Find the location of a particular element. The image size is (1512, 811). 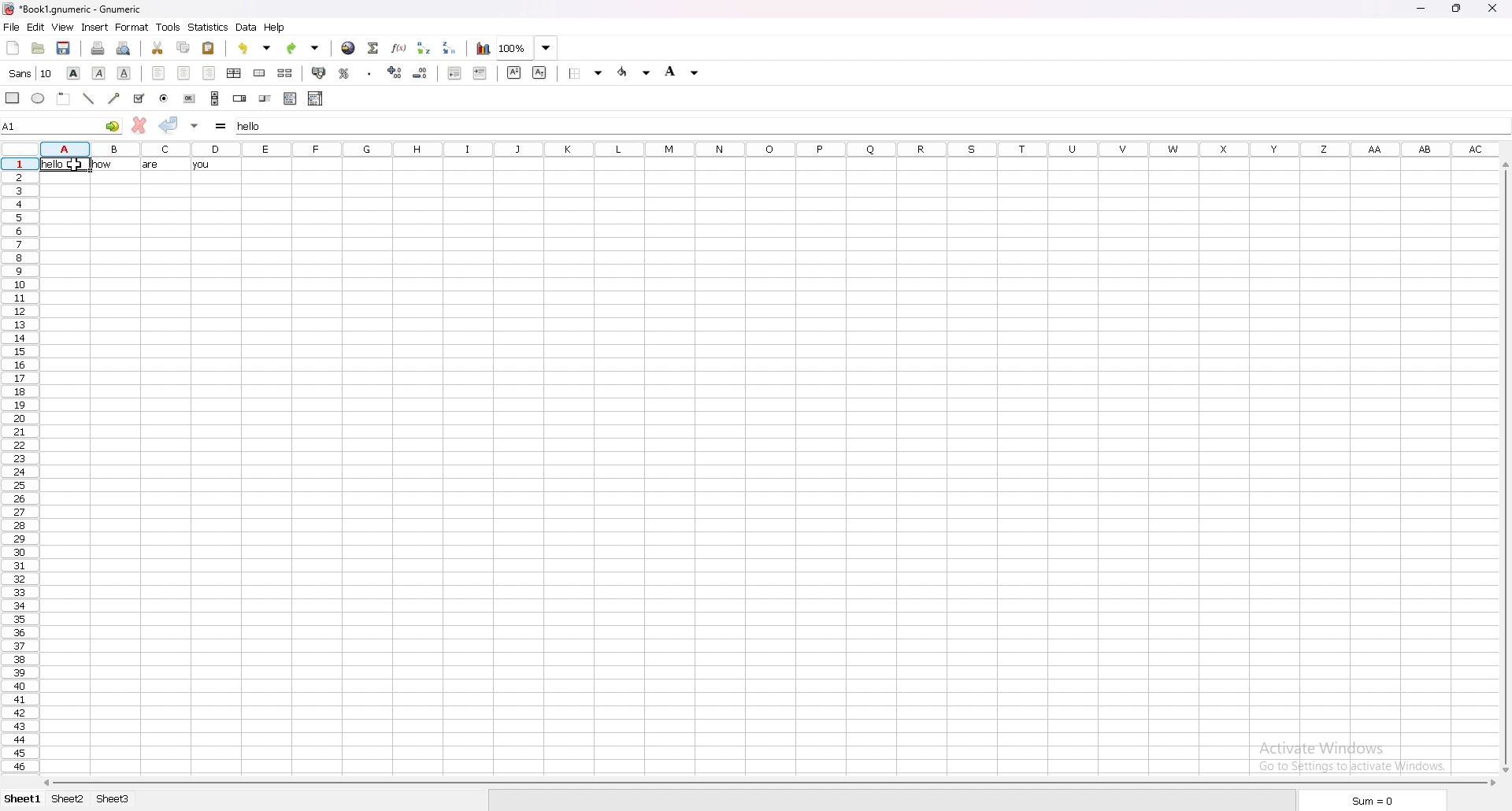

format is located at coordinates (132, 28).